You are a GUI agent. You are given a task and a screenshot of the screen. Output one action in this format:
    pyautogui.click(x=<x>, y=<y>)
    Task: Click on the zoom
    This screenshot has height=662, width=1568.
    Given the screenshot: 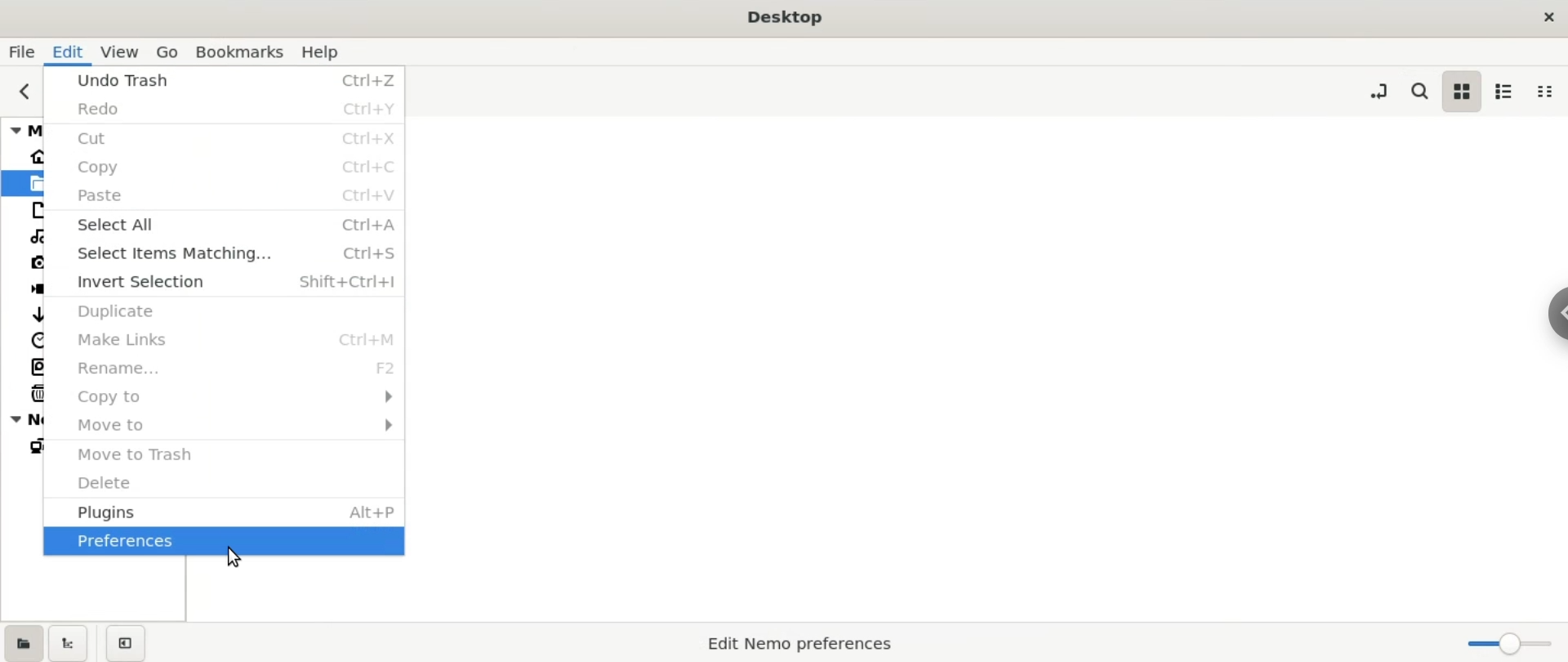 What is the action you would take?
    pyautogui.click(x=1508, y=643)
    